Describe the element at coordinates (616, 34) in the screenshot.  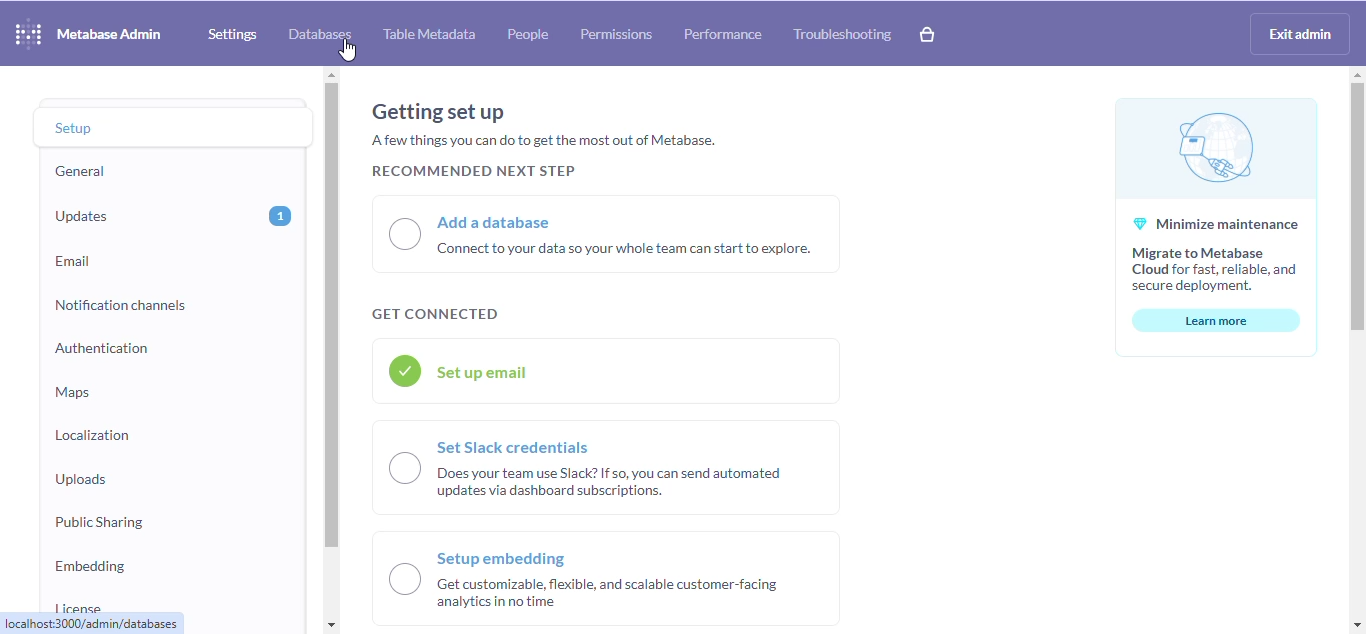
I see `permissions` at that location.